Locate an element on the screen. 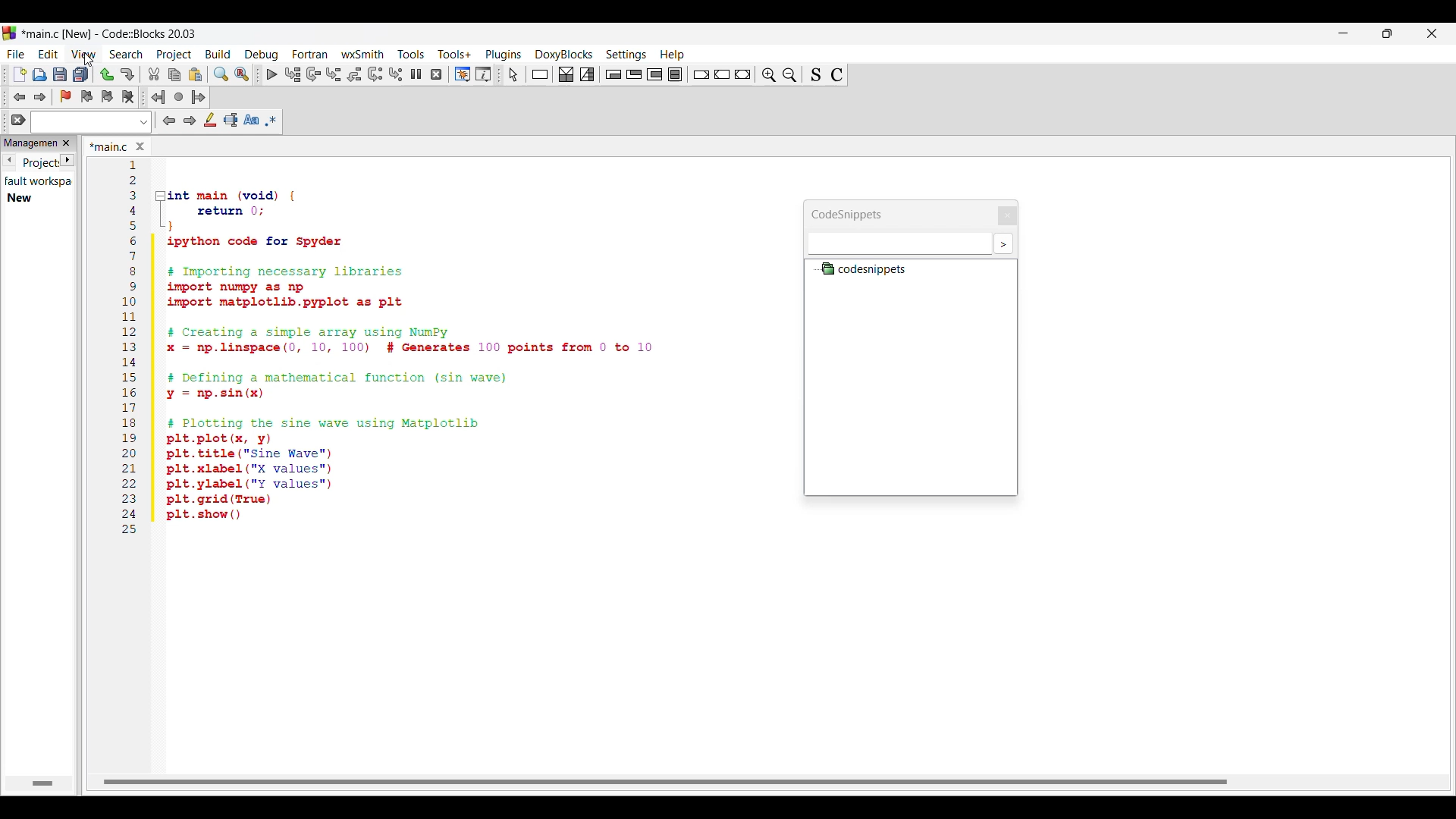  Project menu is located at coordinates (174, 55).